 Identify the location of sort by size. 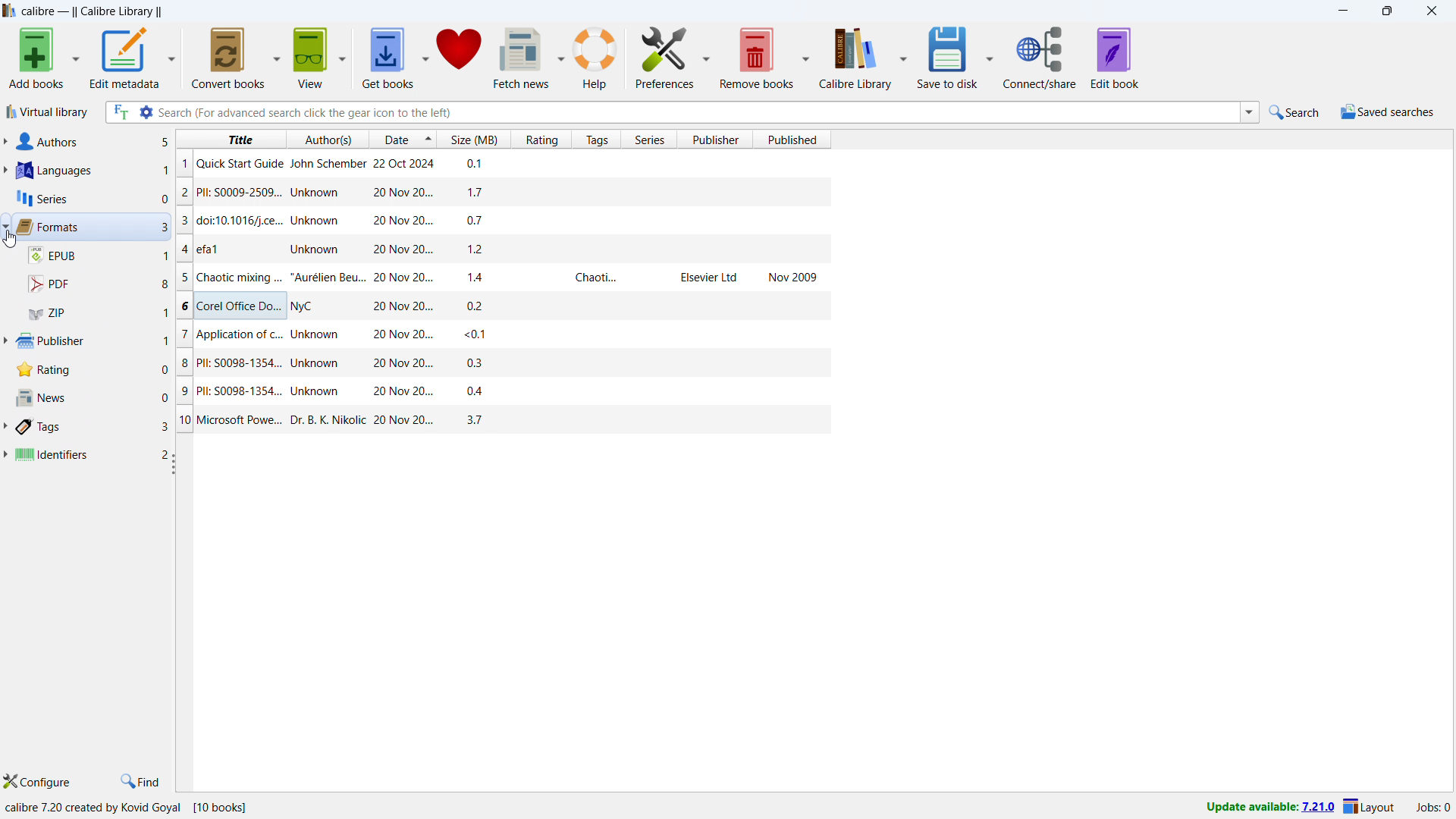
(473, 139).